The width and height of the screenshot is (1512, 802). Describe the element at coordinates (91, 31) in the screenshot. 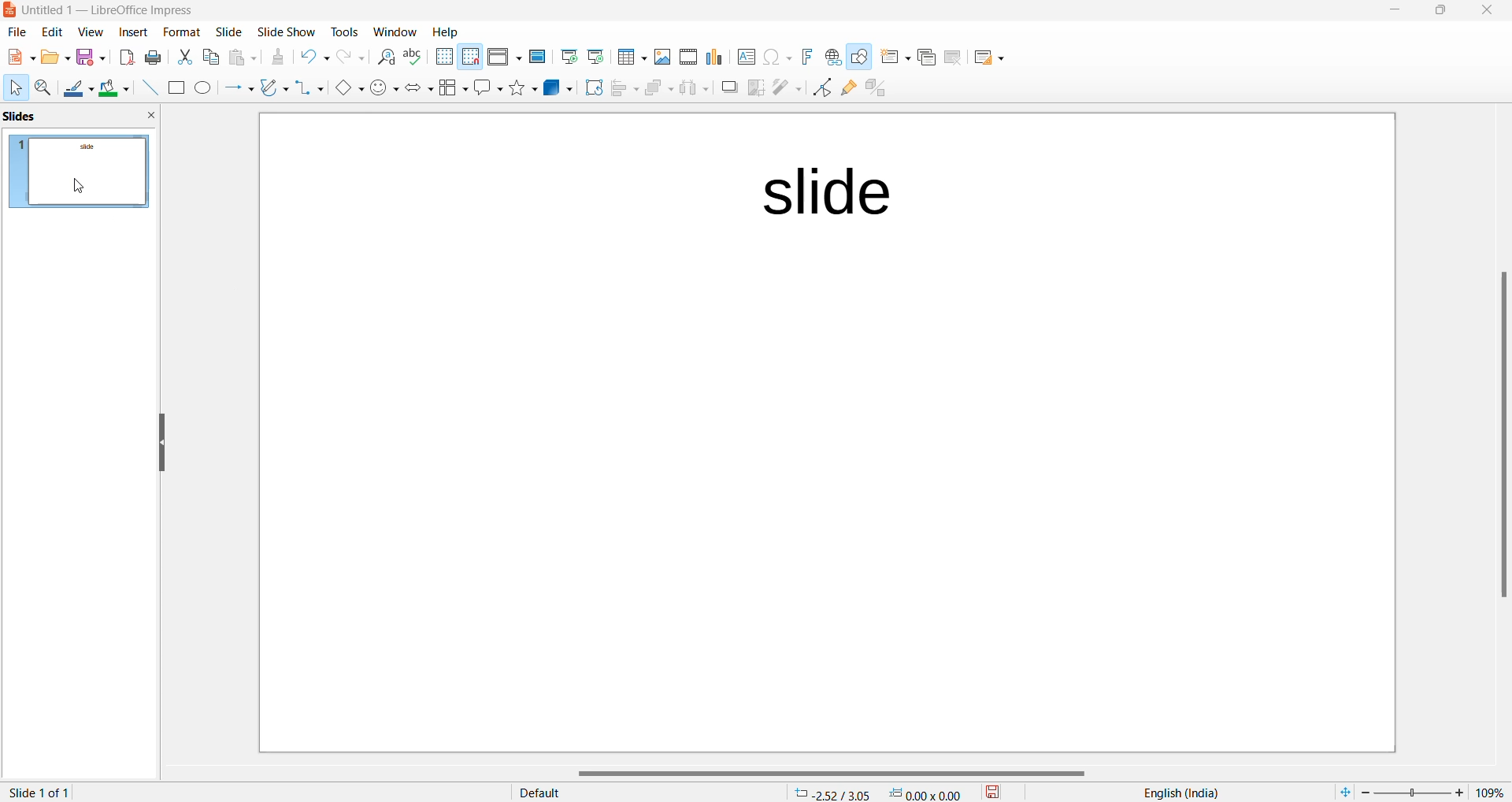

I see `view navigation` at that location.